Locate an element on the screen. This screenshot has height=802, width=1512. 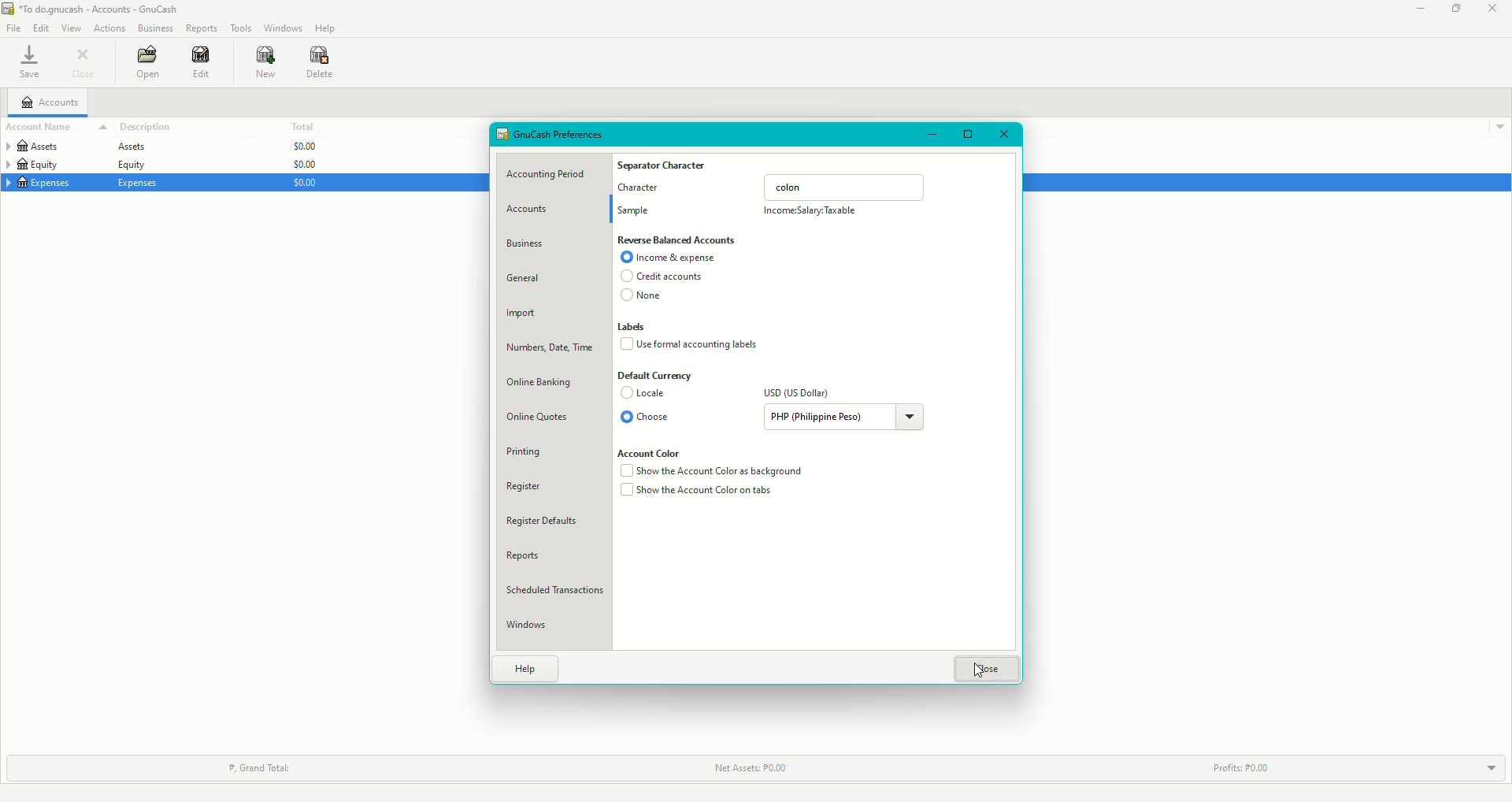
Account Color is located at coordinates (655, 451).